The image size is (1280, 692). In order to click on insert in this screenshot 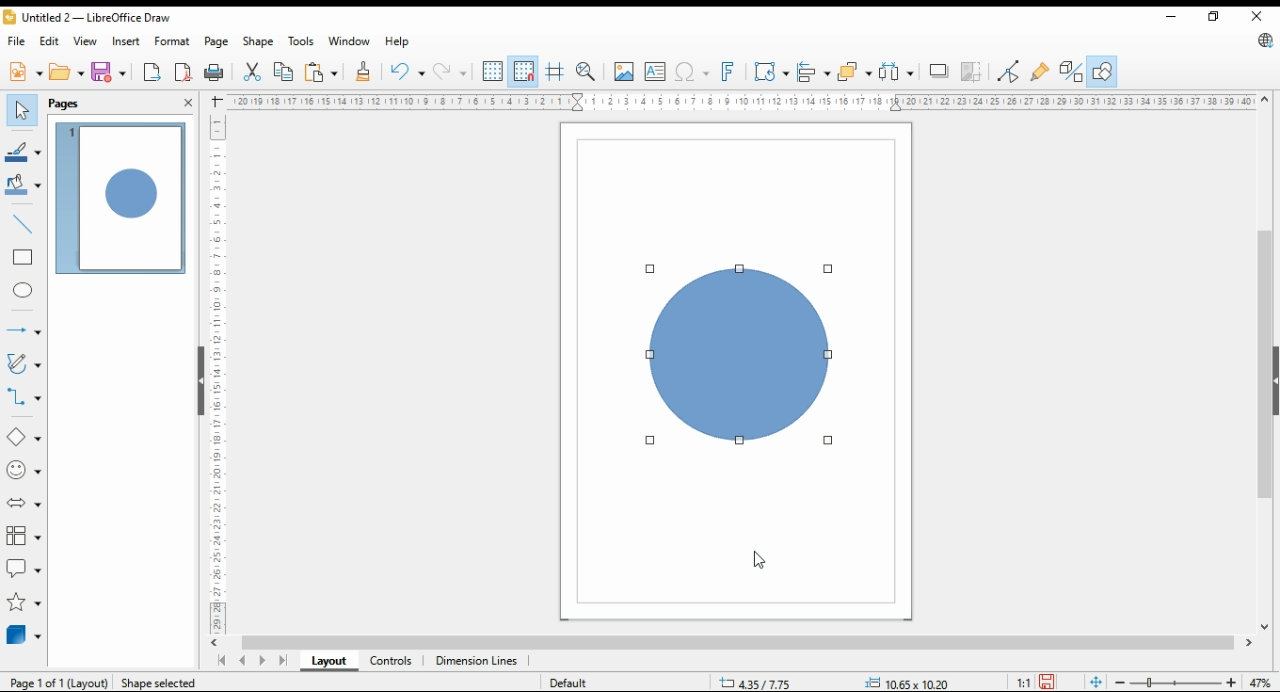, I will do `click(126, 41)`.